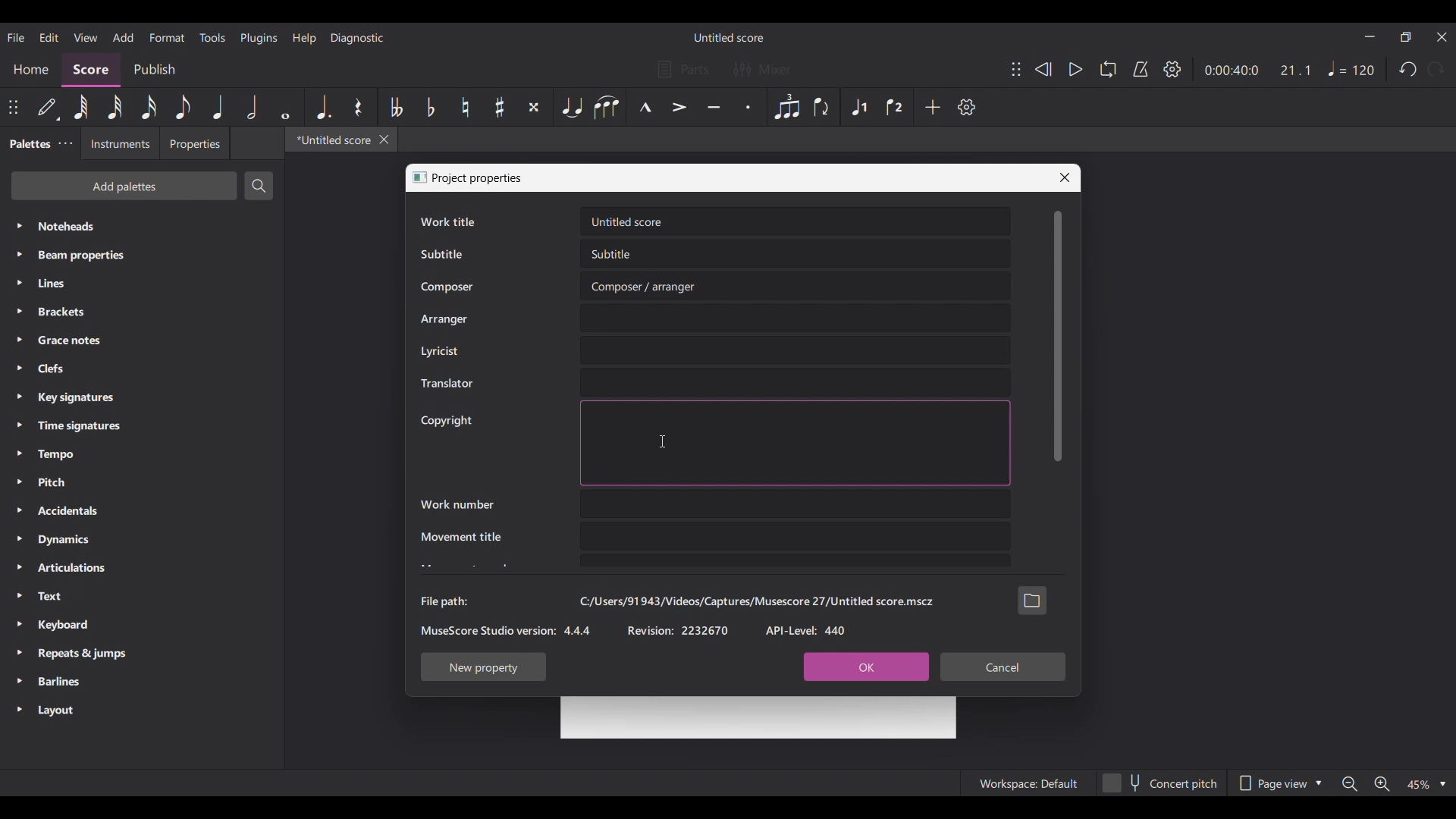 This screenshot has height=819, width=1456. Describe the element at coordinates (1349, 784) in the screenshot. I see `Zoom out` at that location.